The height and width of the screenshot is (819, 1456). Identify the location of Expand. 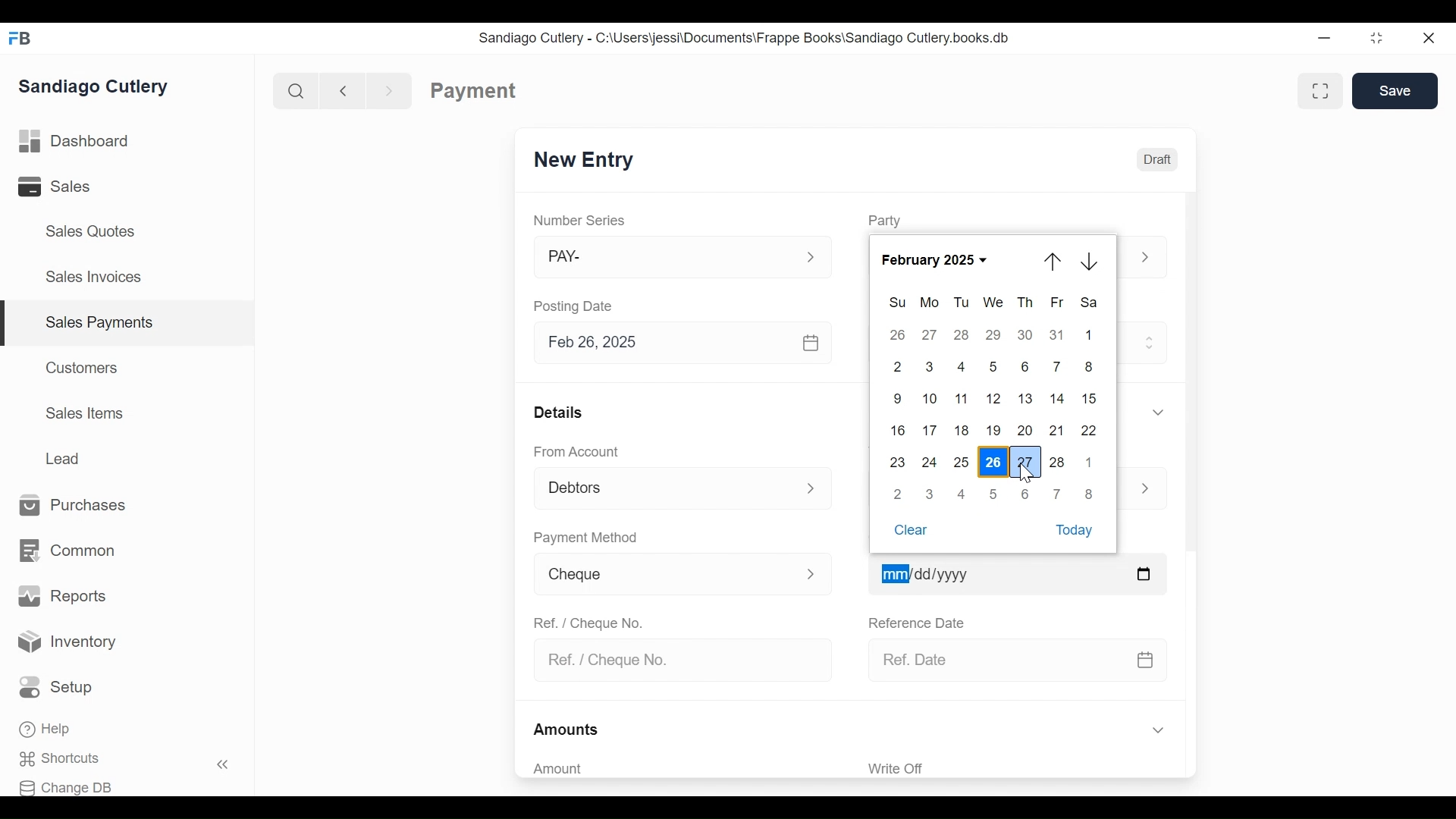
(811, 573).